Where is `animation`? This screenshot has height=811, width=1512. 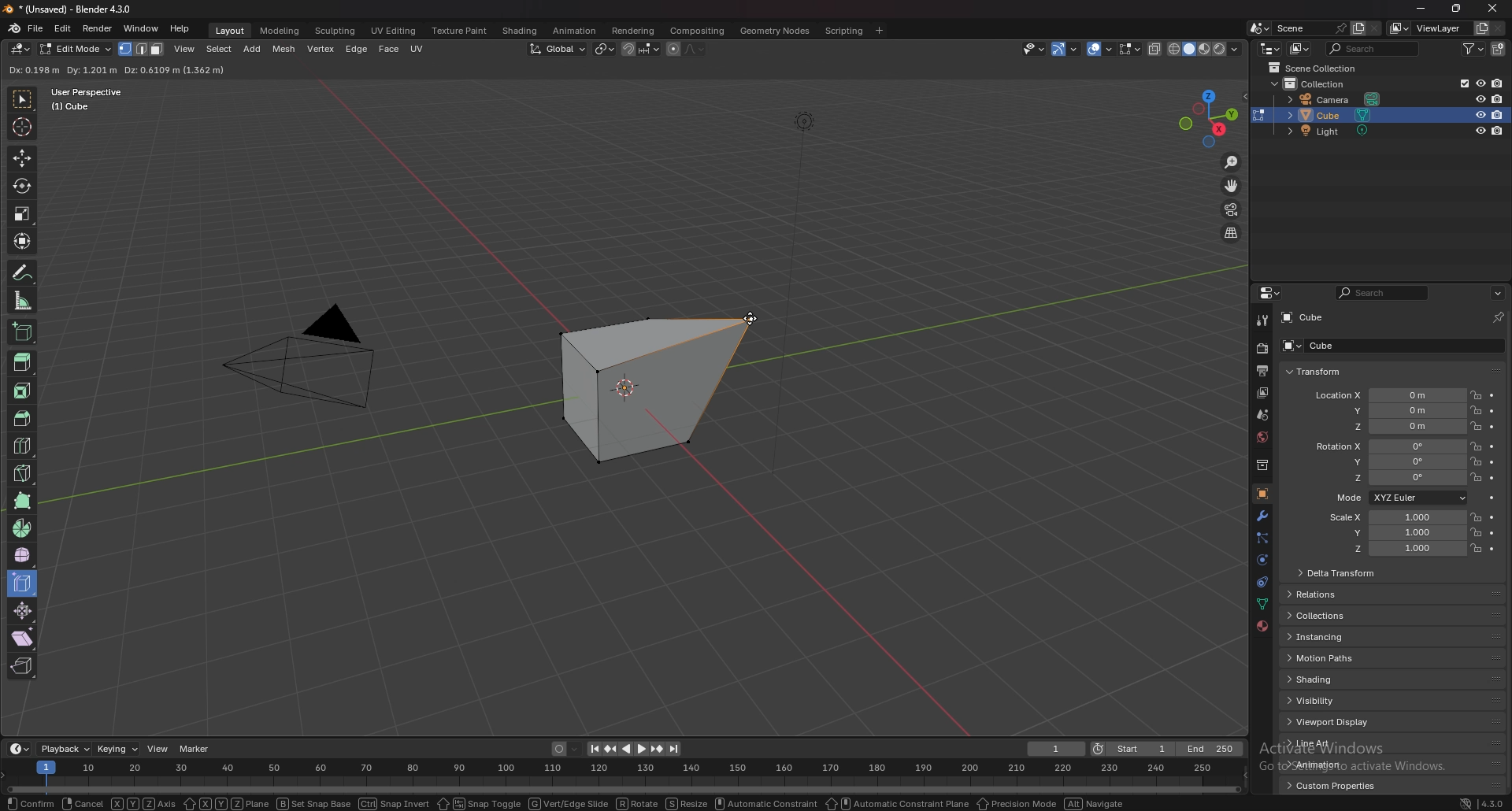 animation is located at coordinates (576, 30).